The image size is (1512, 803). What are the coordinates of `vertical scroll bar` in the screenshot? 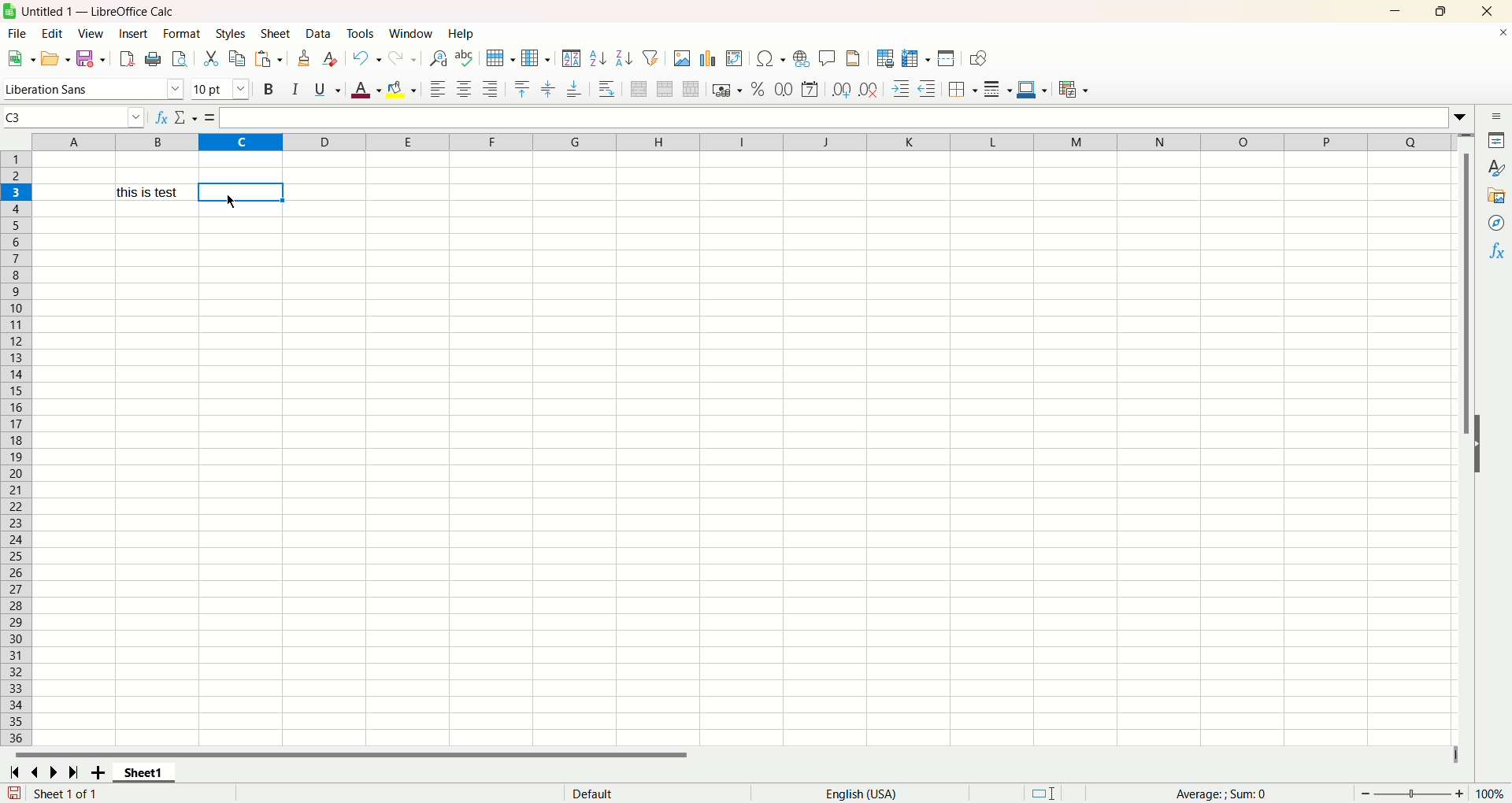 It's located at (1467, 272).